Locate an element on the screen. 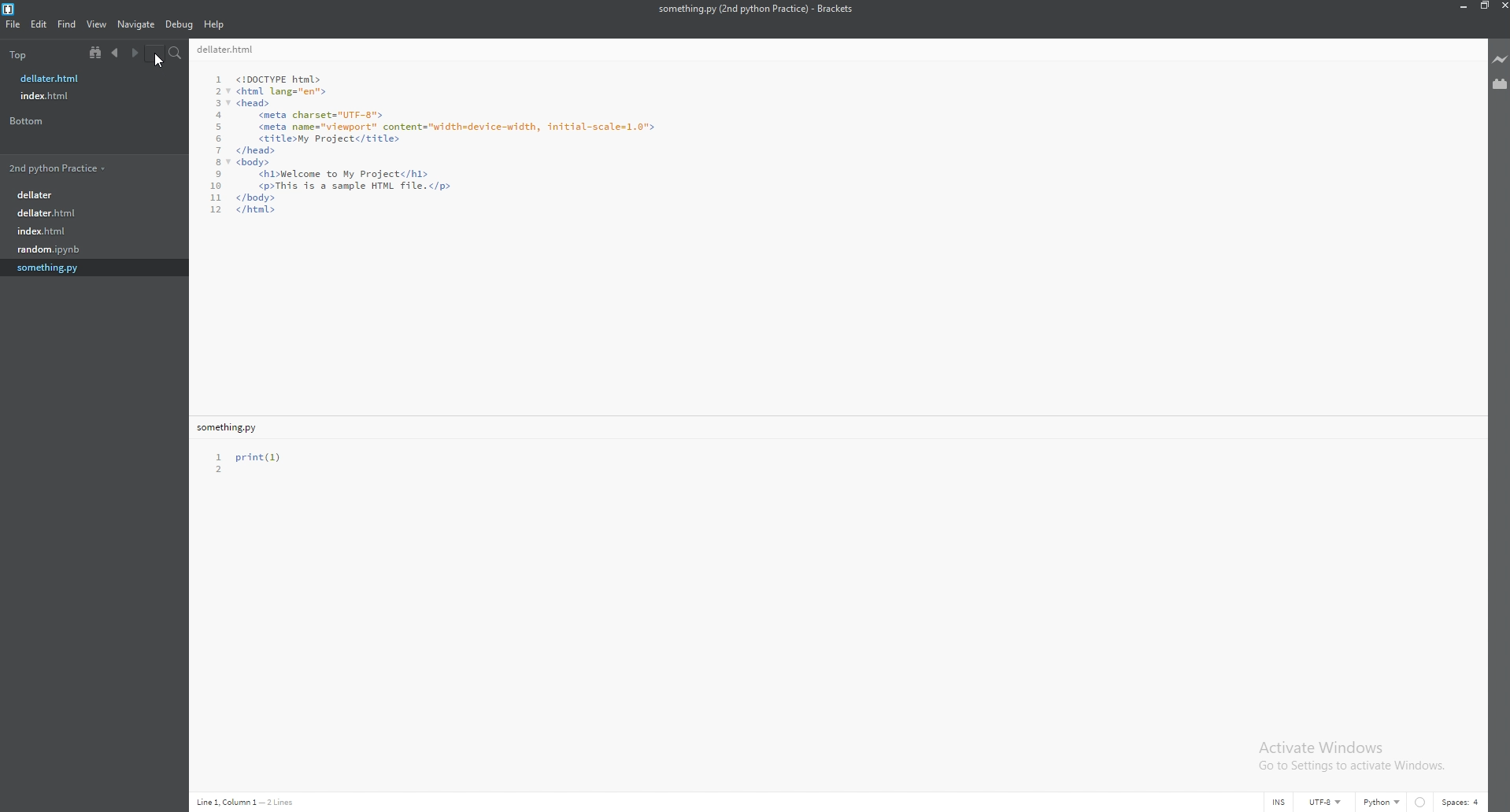 Image resolution: width=1510 pixels, height=812 pixels. Activate Windows
Go to Settings to activate Windows. is located at coordinates (1349, 756).